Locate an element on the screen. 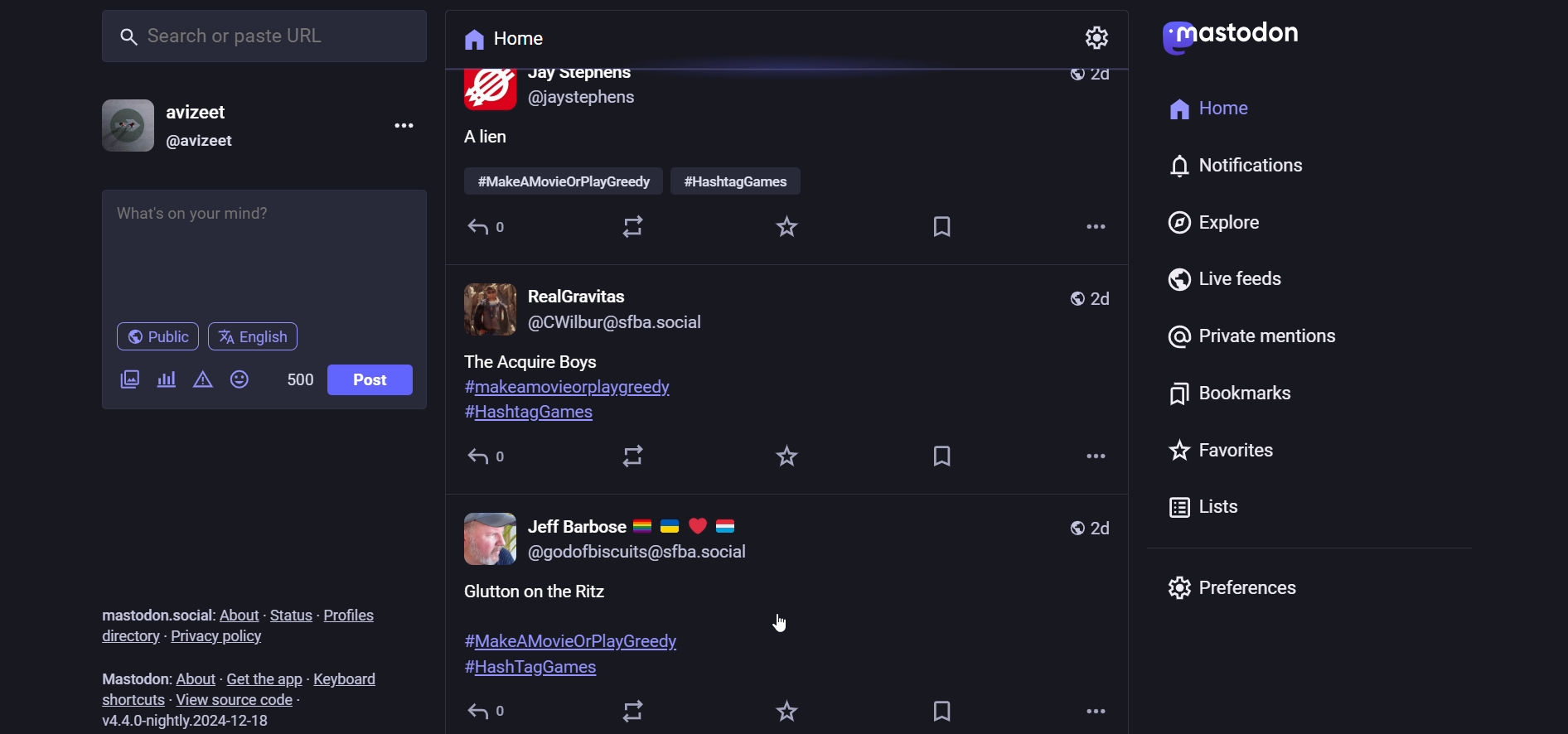  public is located at coordinates (157, 338).